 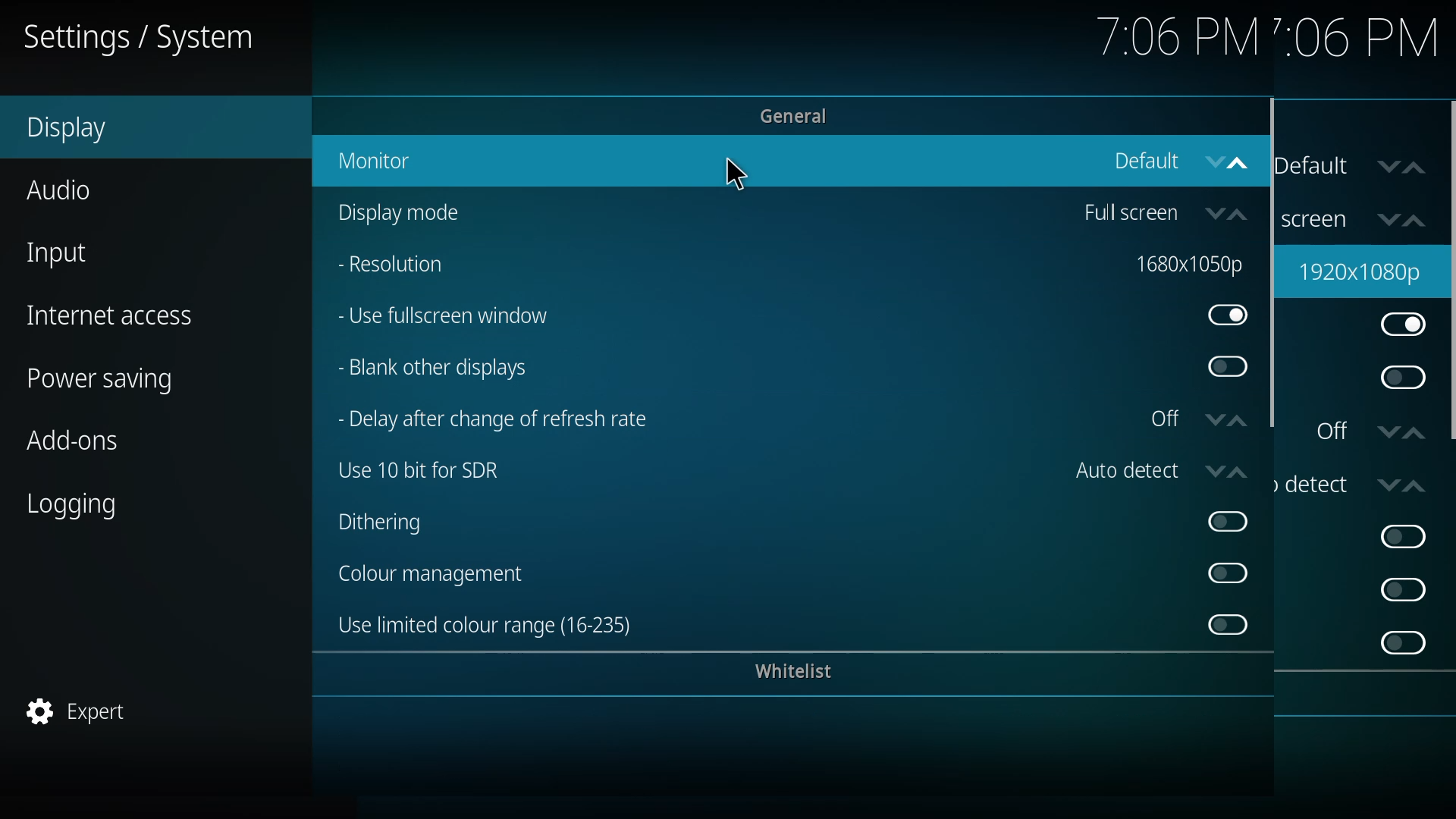 I want to click on time, so click(x=1166, y=38).